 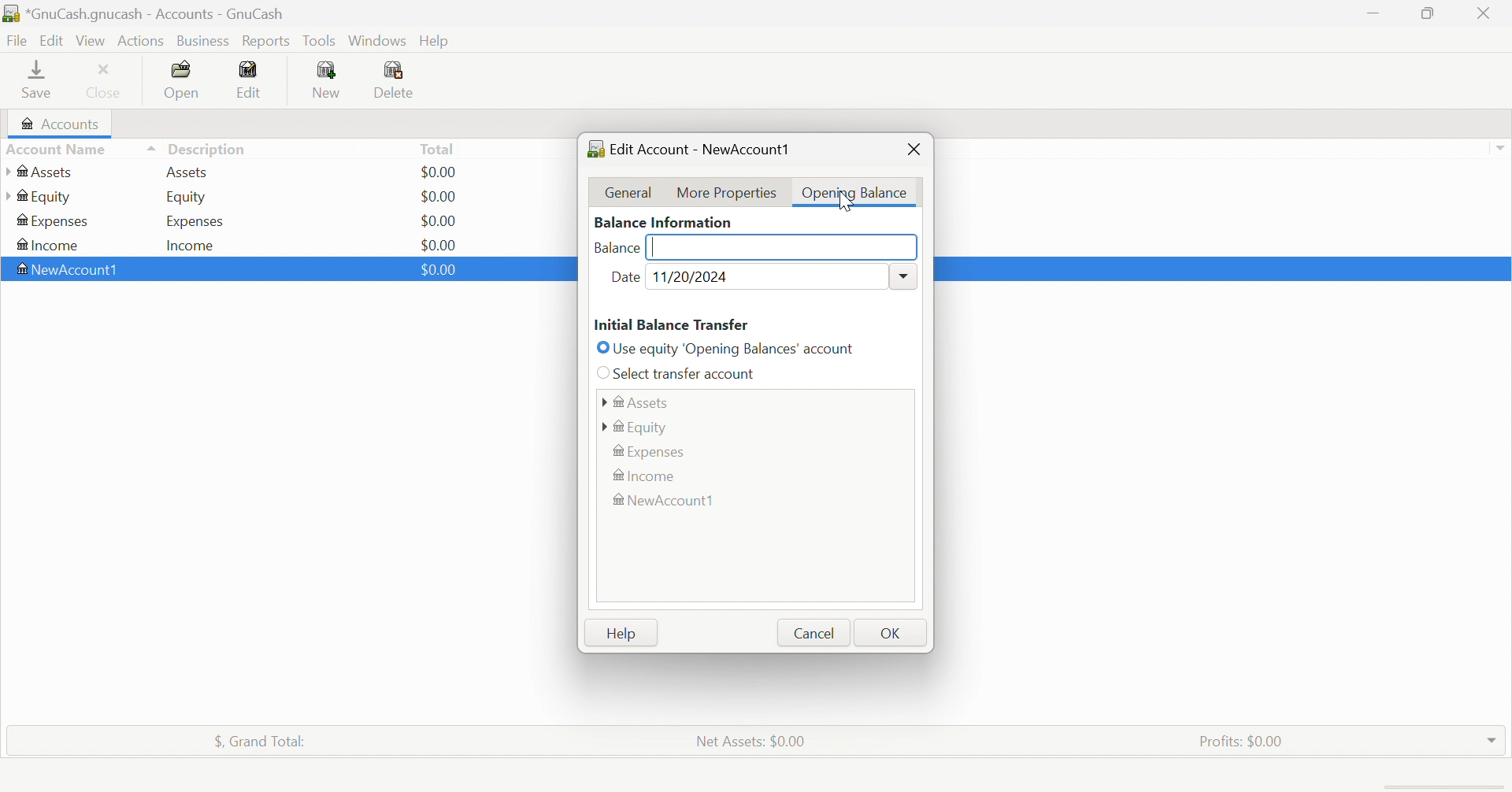 I want to click on Income, so click(x=647, y=476).